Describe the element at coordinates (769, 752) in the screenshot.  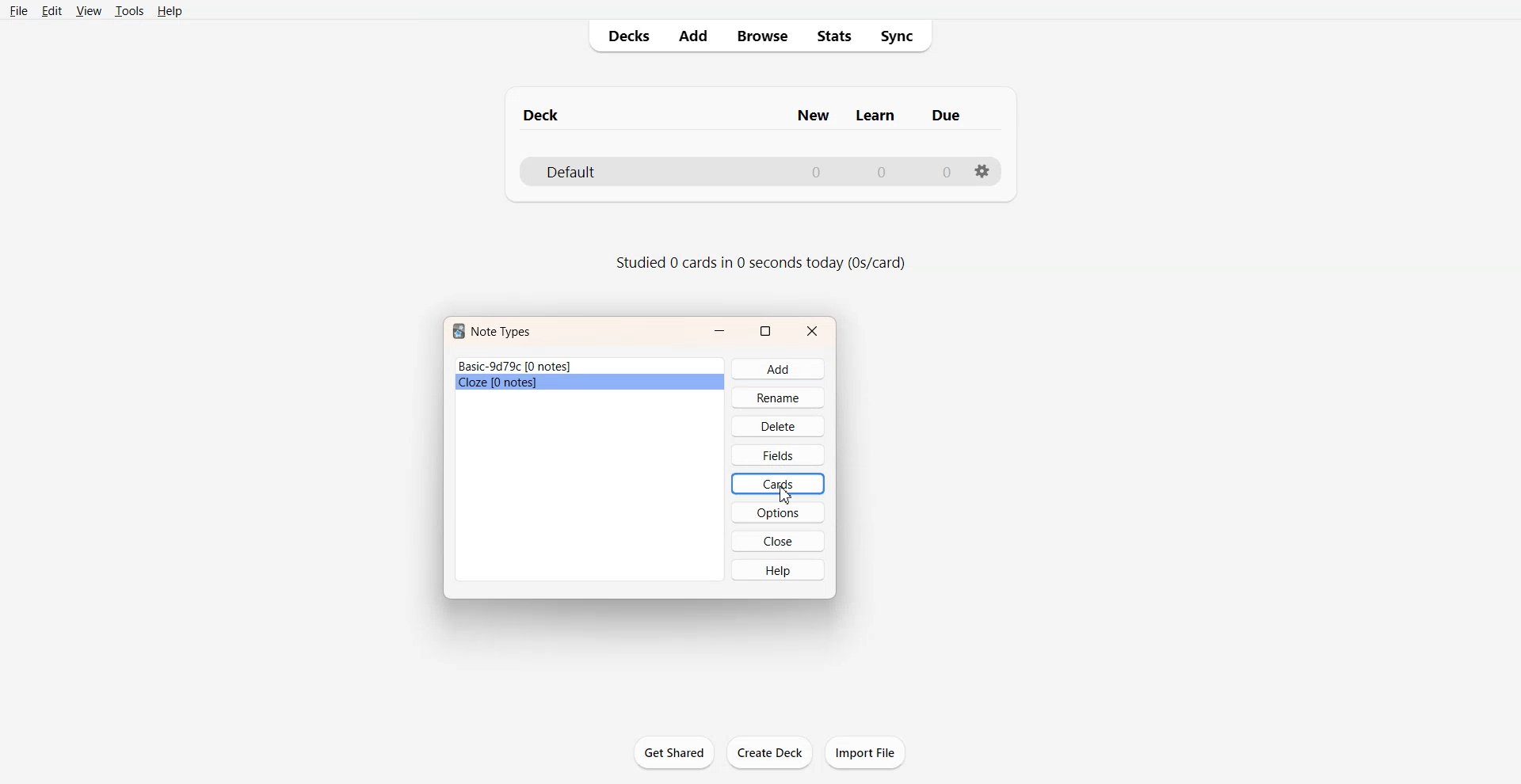
I see `Create Deck` at that location.